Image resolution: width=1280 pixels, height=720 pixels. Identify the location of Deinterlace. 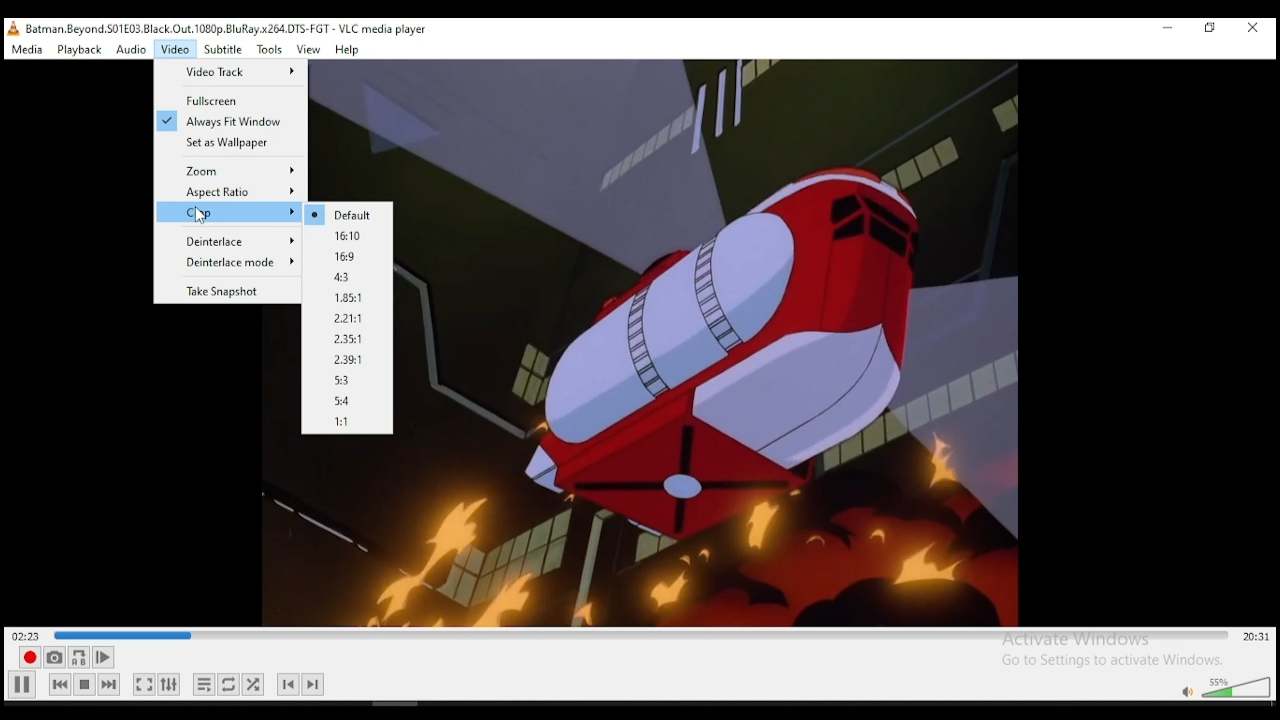
(229, 240).